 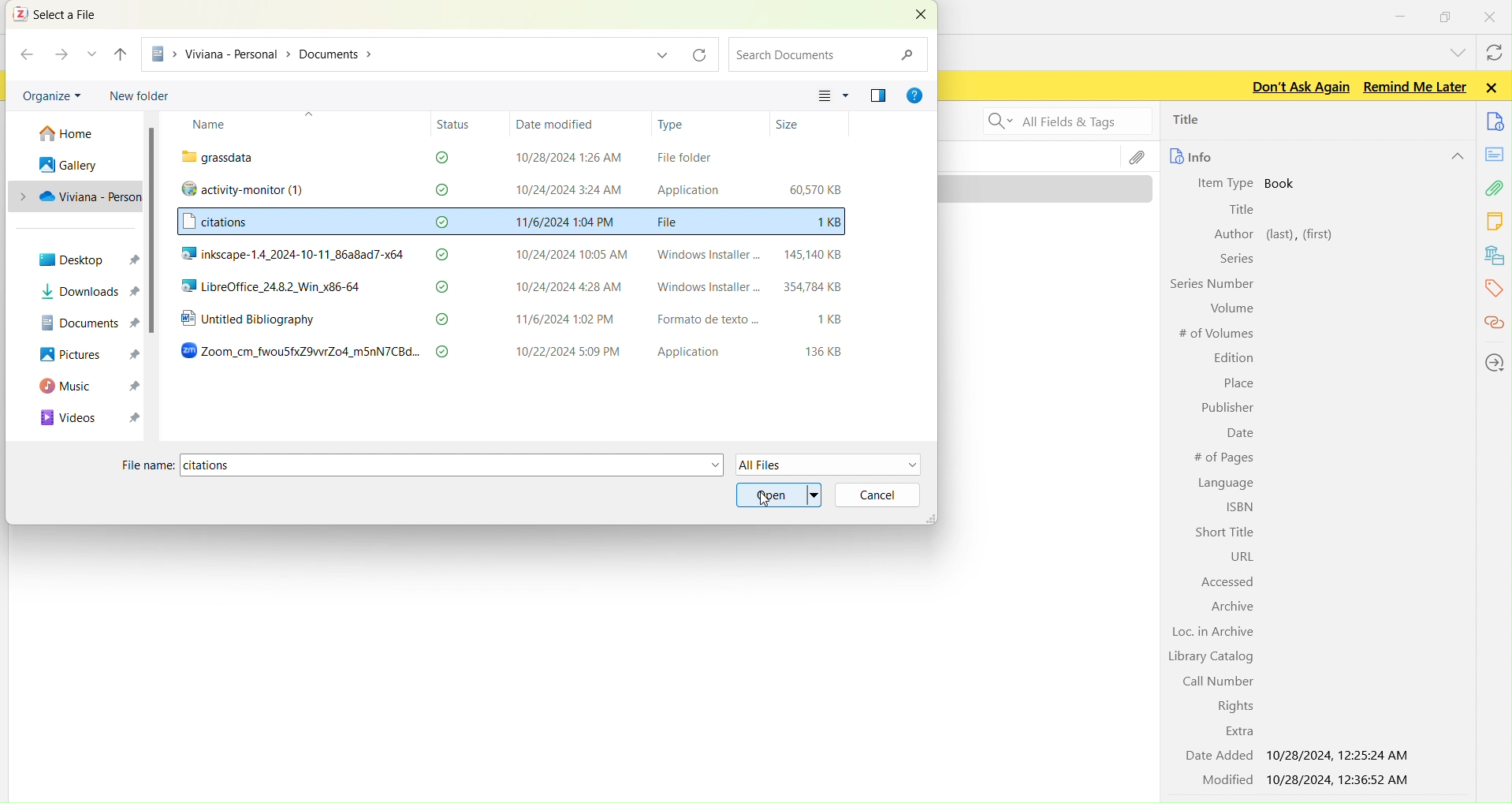 What do you see at coordinates (830, 95) in the screenshot?
I see `CHANGE YOUR VIEW` at bounding box center [830, 95].